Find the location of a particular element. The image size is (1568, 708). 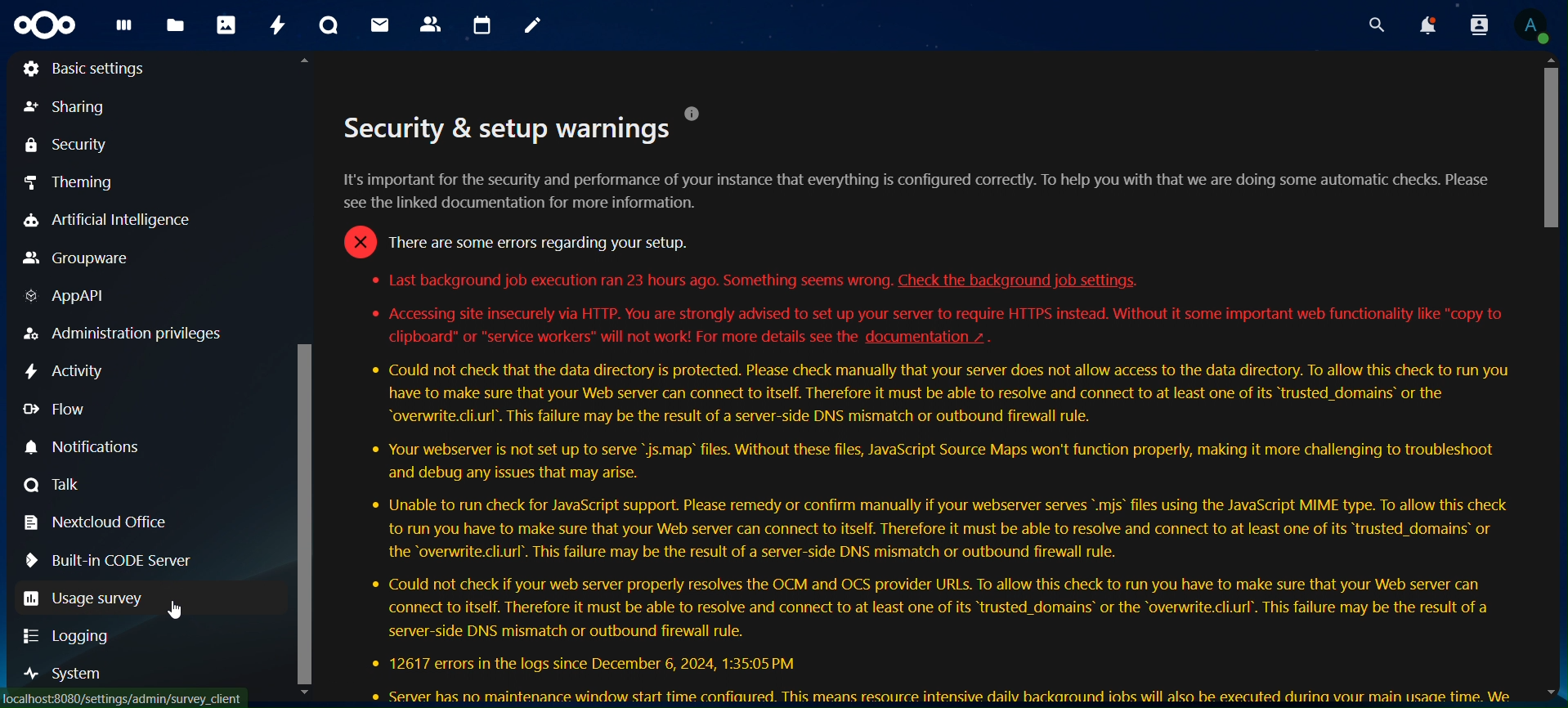

View Profile is located at coordinates (1533, 26).